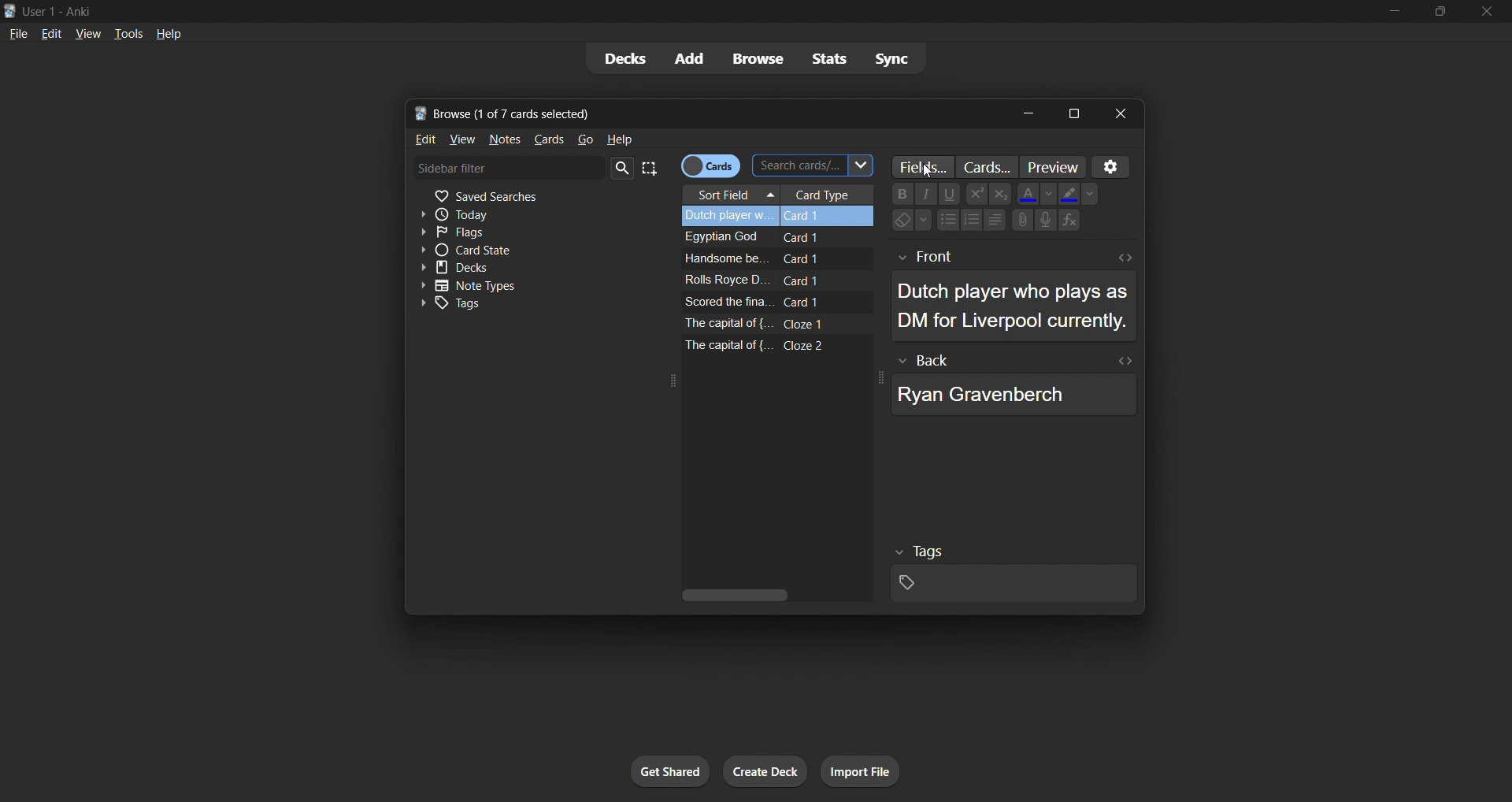 The width and height of the screenshot is (1512, 802). What do you see at coordinates (928, 193) in the screenshot?
I see `Font` at bounding box center [928, 193].